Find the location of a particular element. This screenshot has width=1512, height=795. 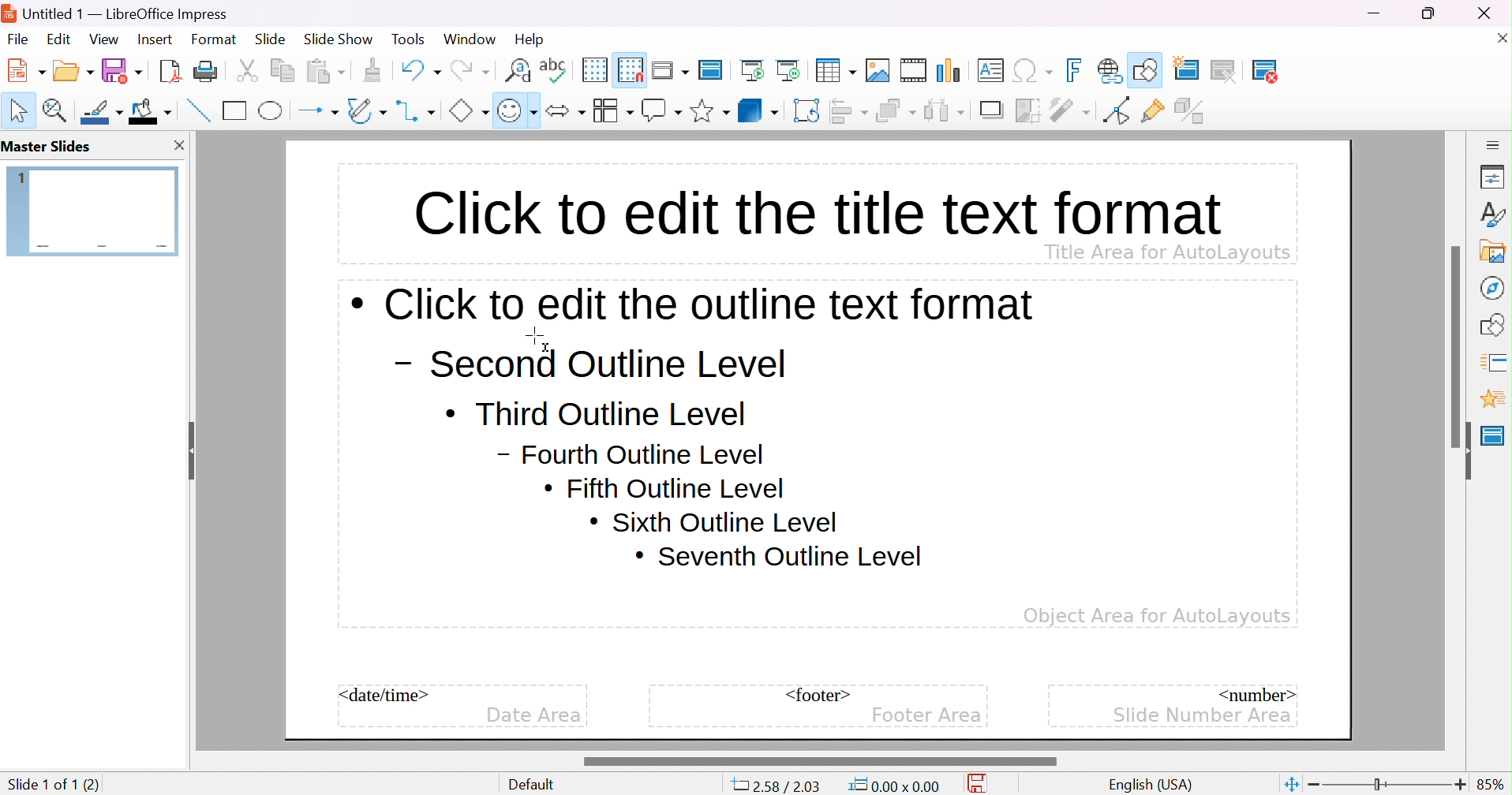

window is located at coordinates (469, 39).